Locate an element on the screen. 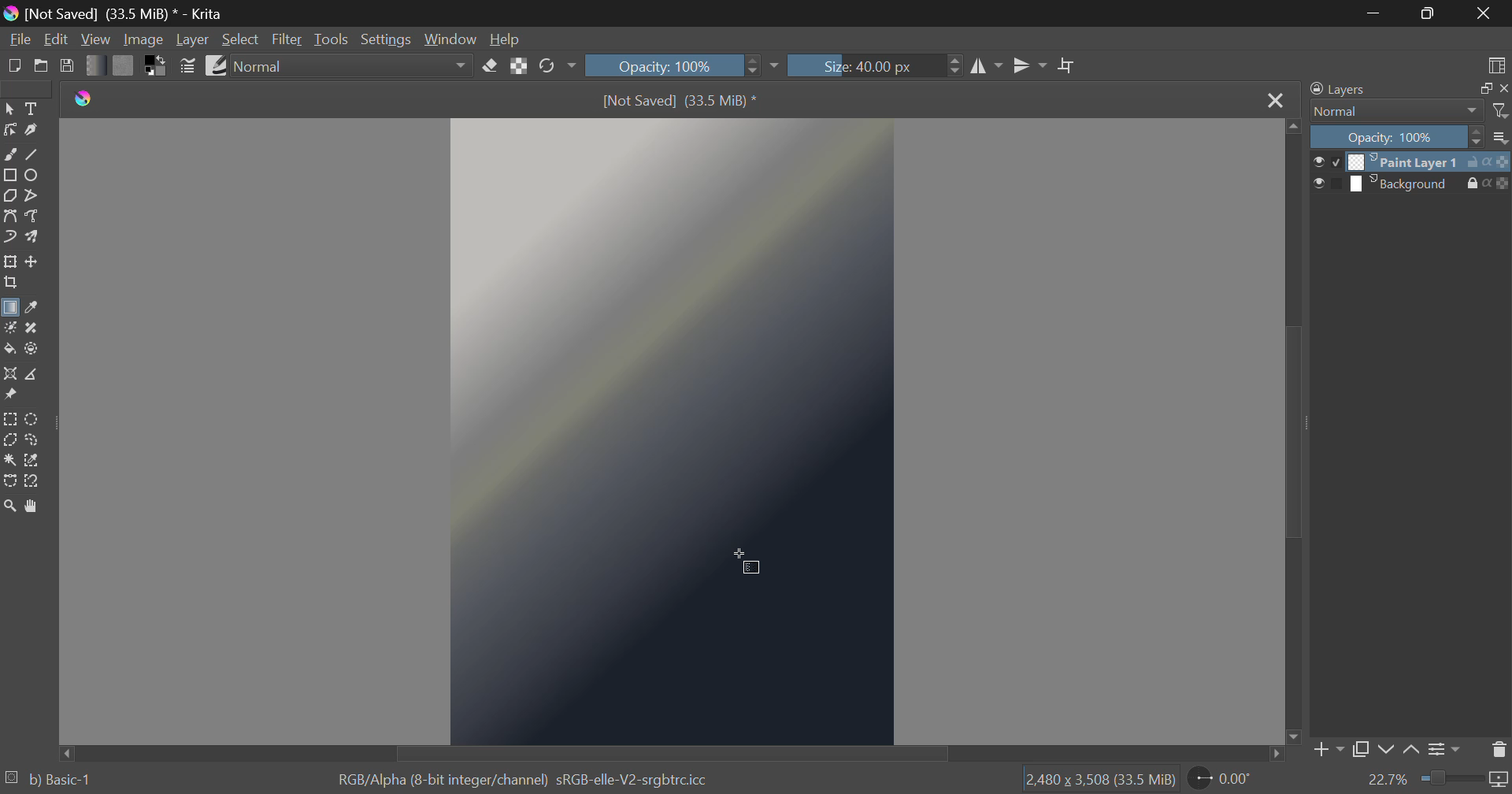  Layer is located at coordinates (192, 39).